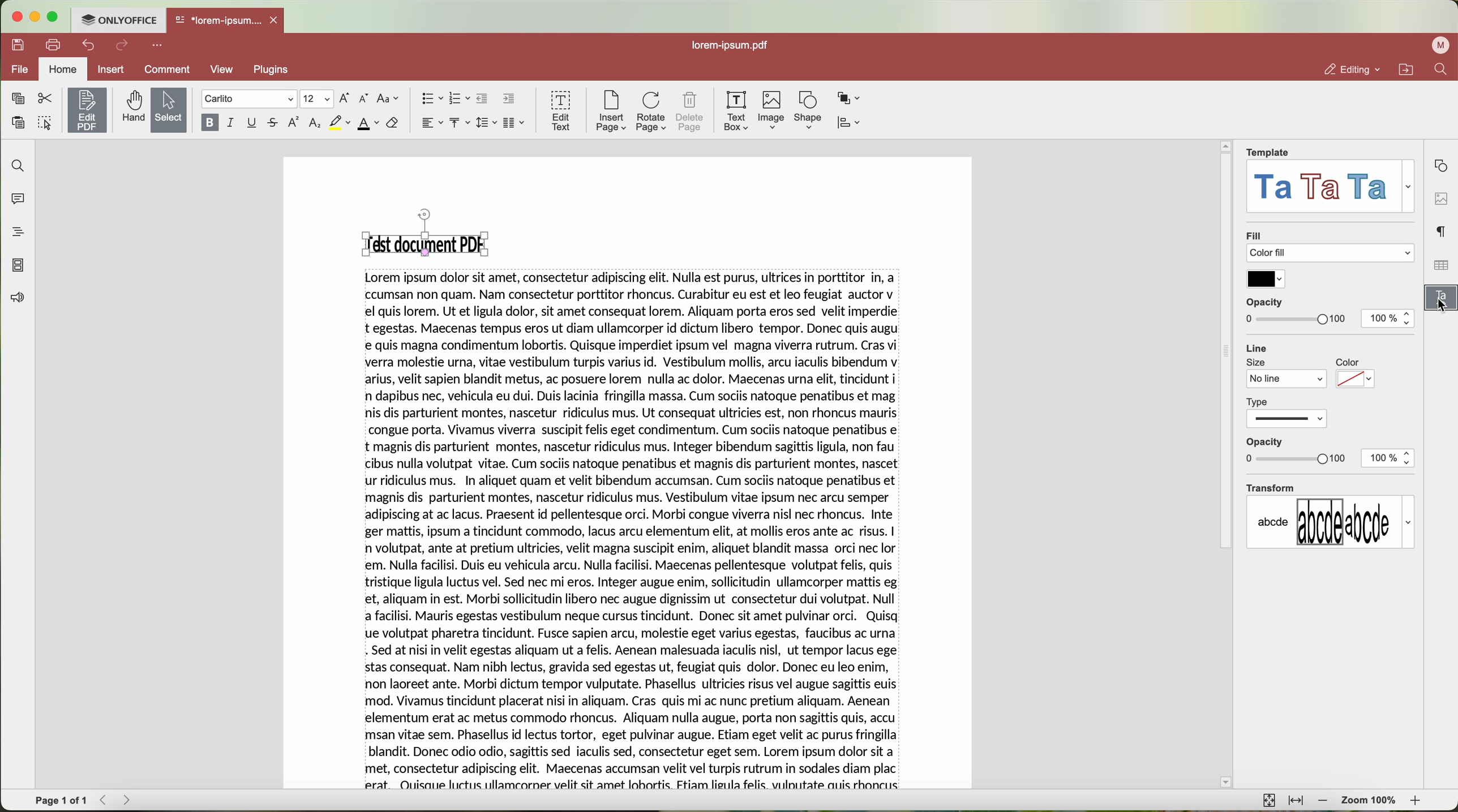 This screenshot has width=1458, height=812. Describe the element at coordinates (1296, 451) in the screenshot. I see `opacity` at that location.